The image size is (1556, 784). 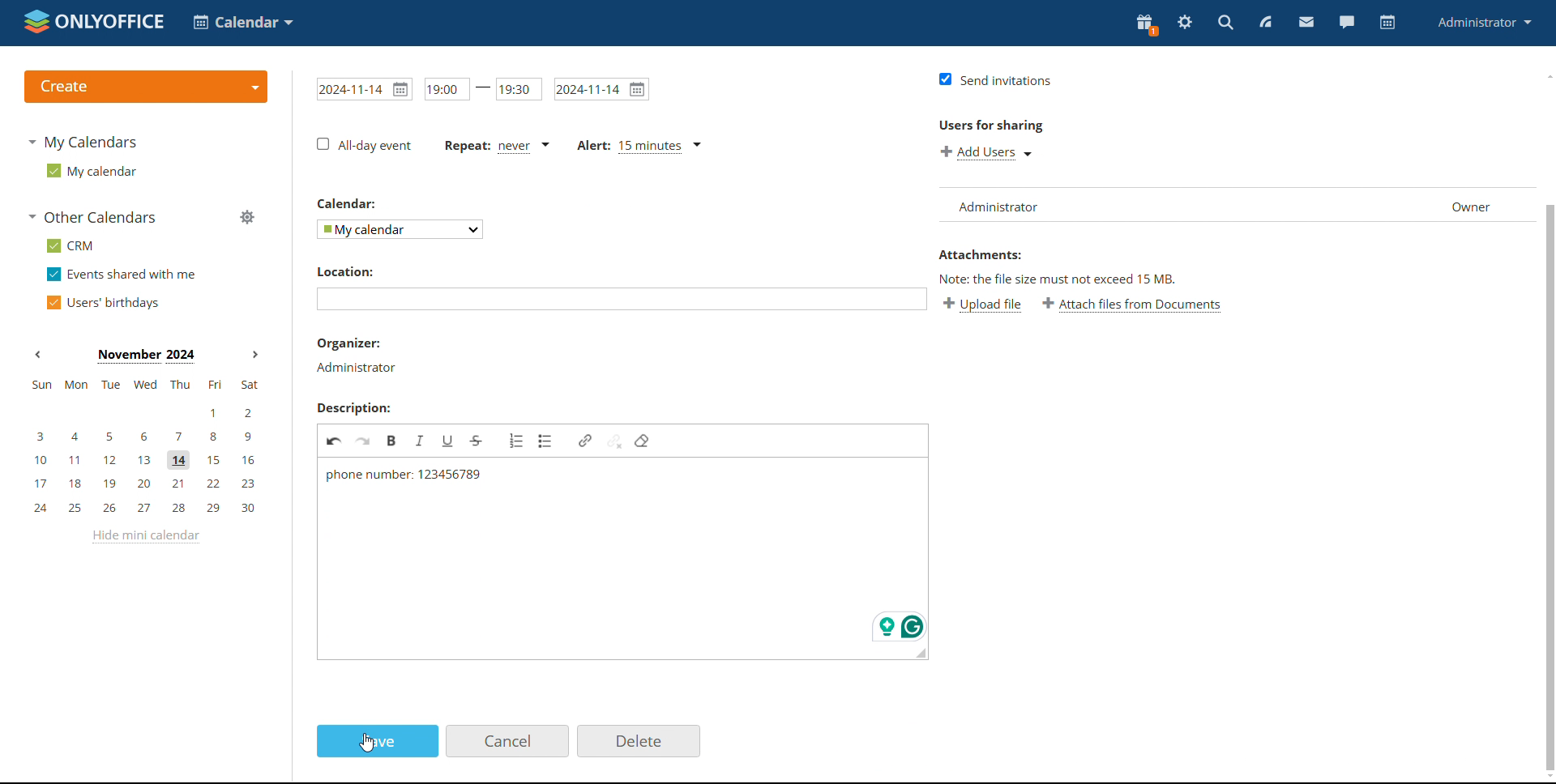 What do you see at coordinates (91, 217) in the screenshot?
I see `other calendars` at bounding box center [91, 217].